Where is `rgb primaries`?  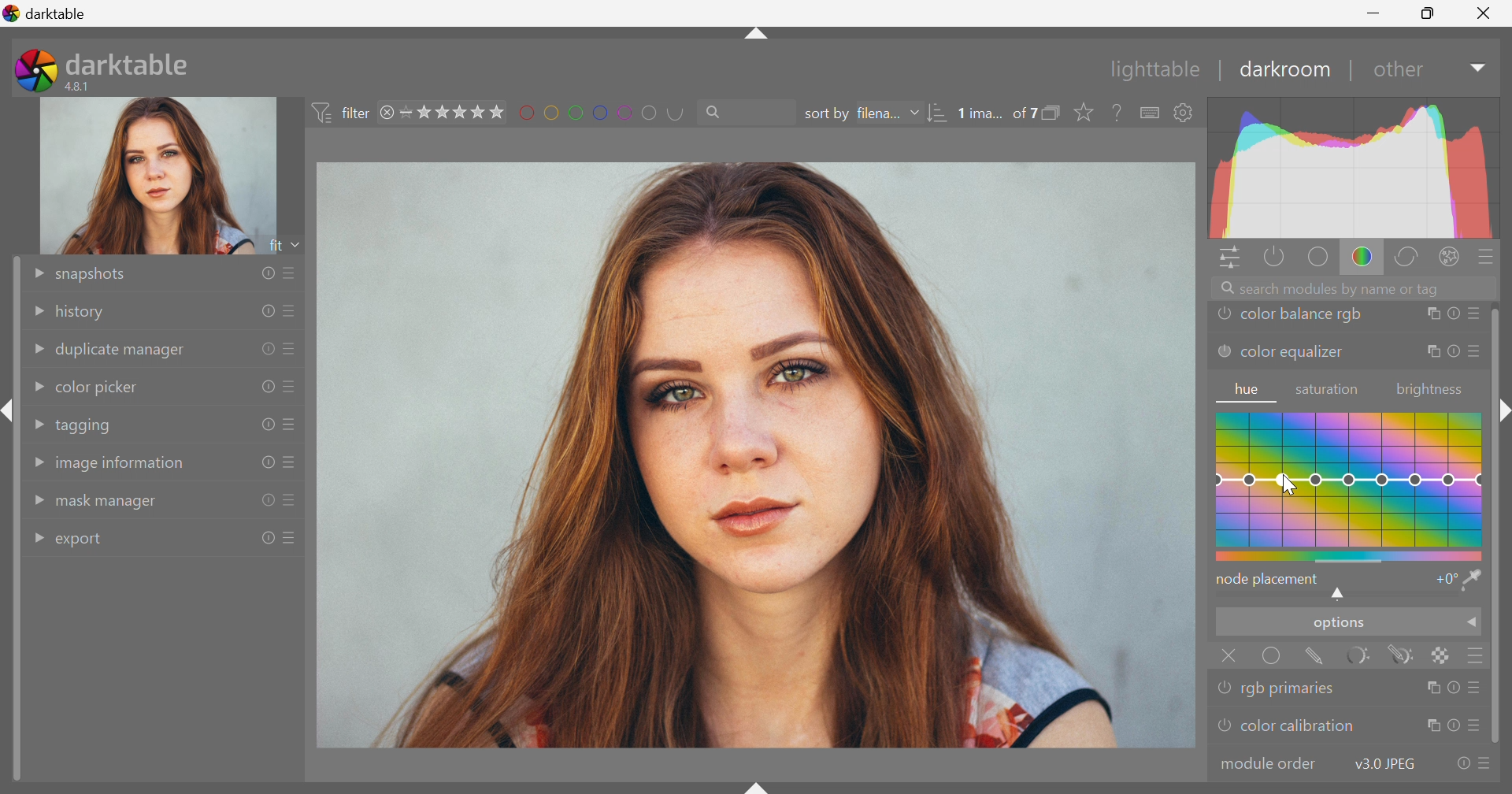 rgb primaries is located at coordinates (1294, 689).